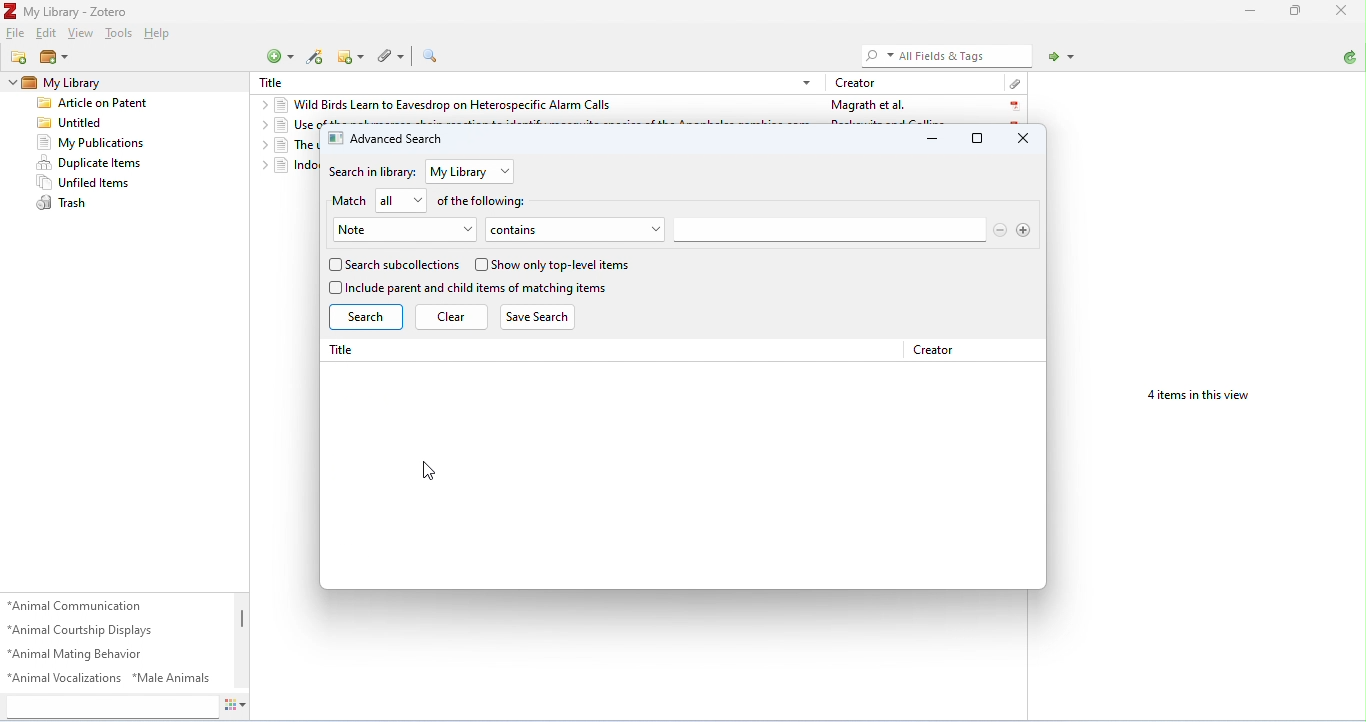 This screenshot has width=1366, height=722. I want to click on My Library - Zotero, so click(67, 12).